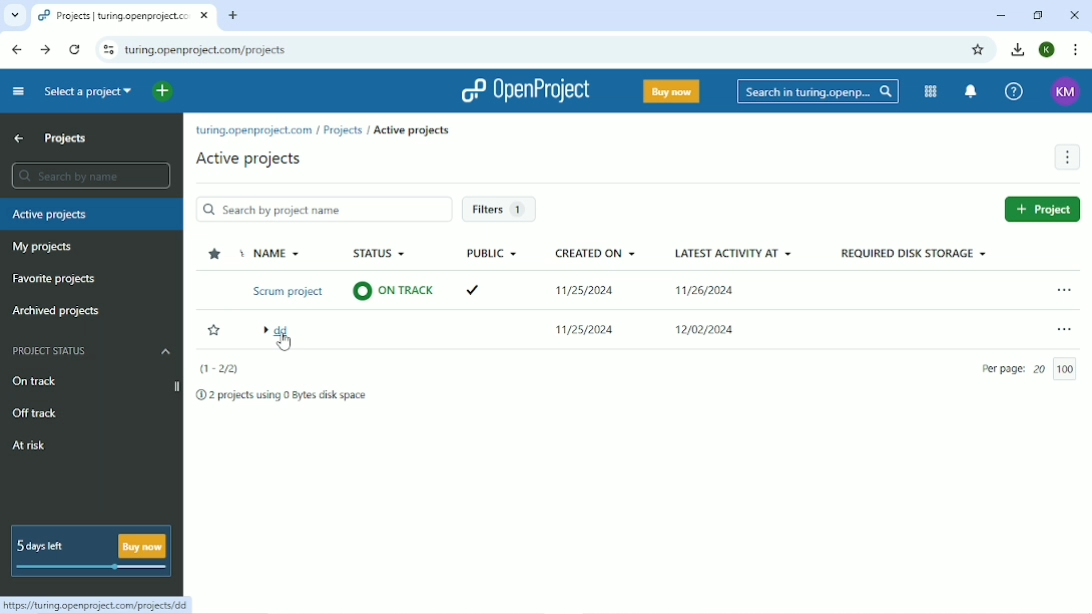  What do you see at coordinates (288, 348) in the screenshot?
I see `cursor` at bounding box center [288, 348].